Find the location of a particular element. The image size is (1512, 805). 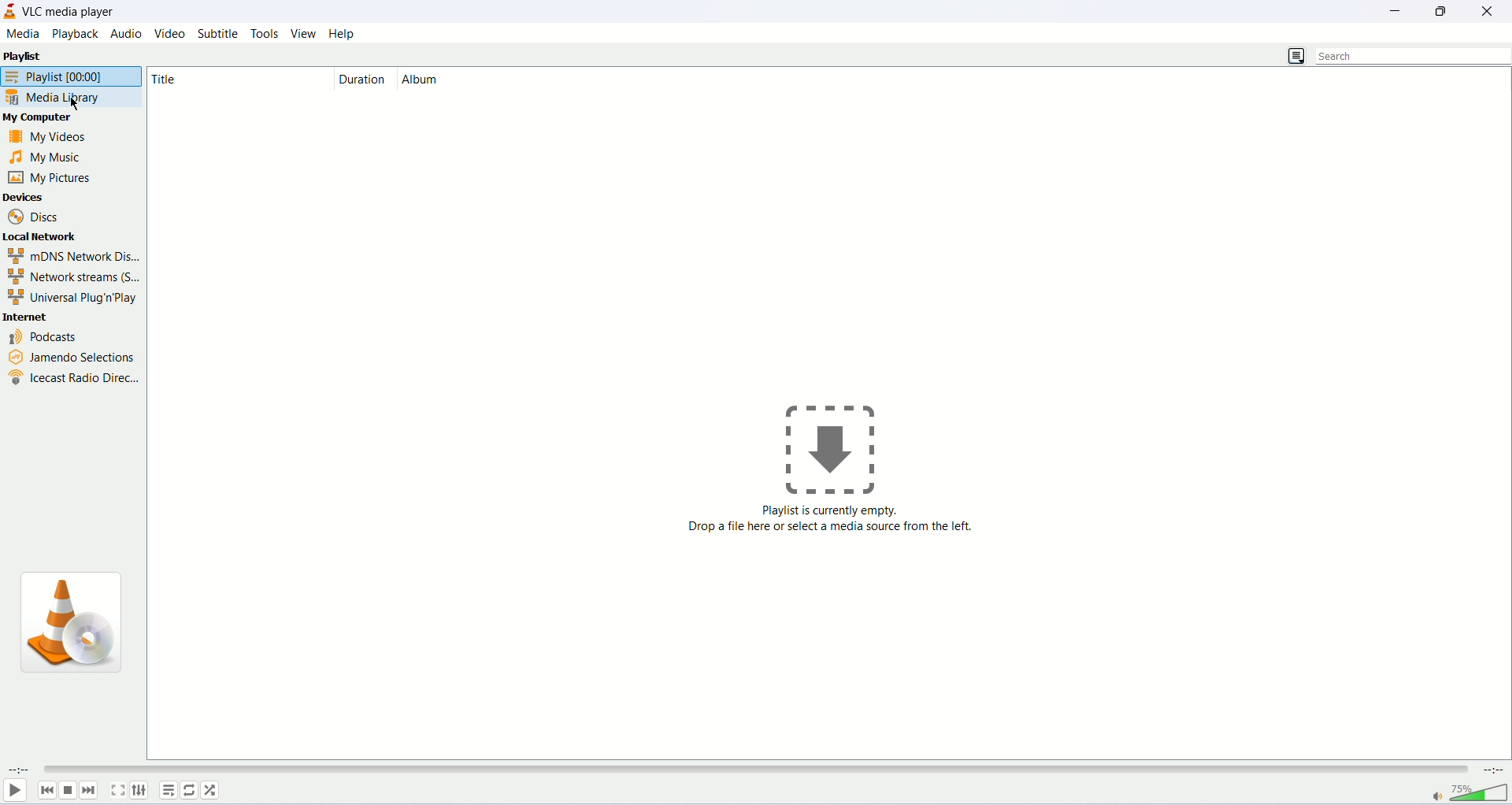

remaining time is located at coordinates (1492, 770).